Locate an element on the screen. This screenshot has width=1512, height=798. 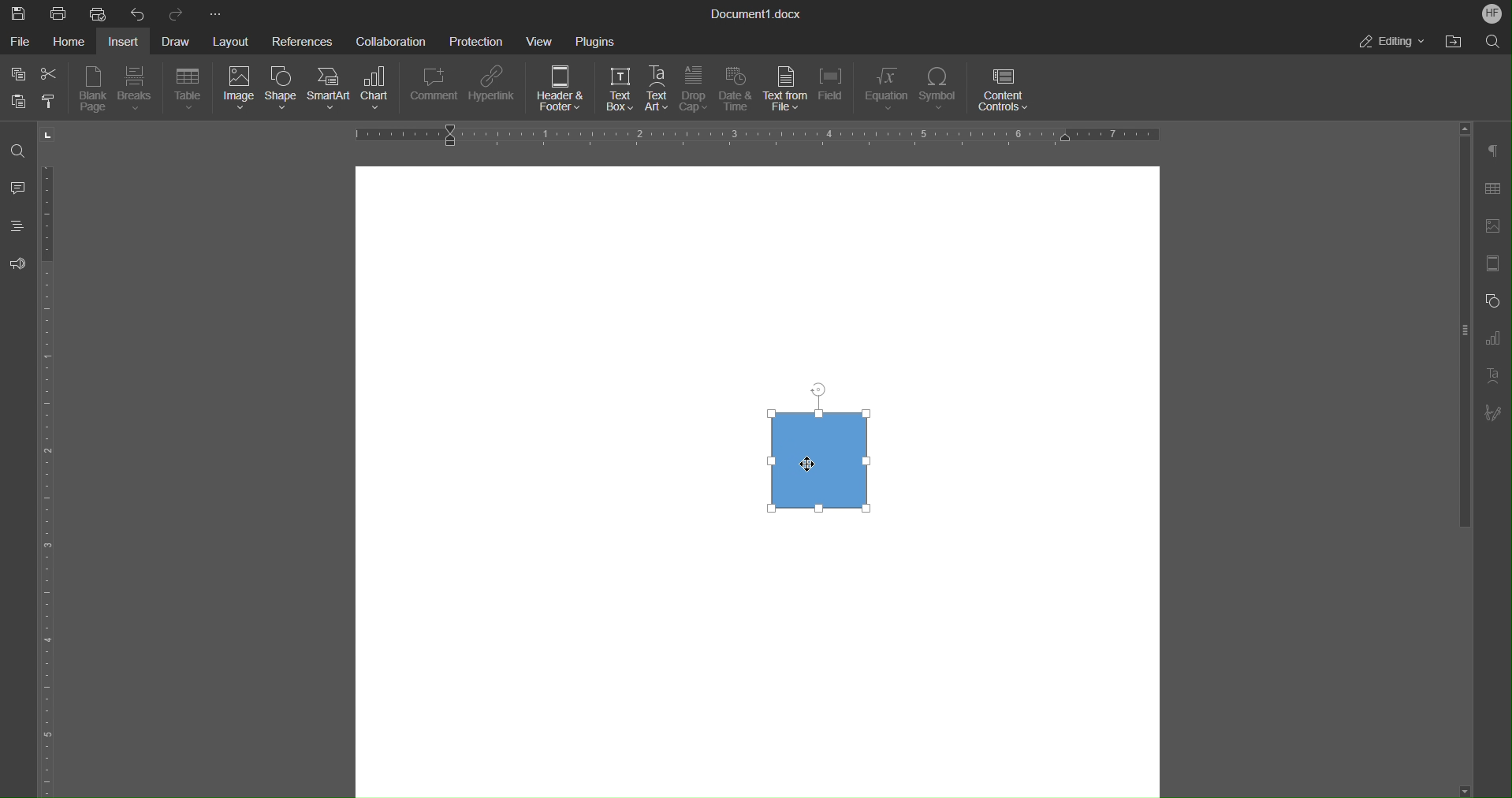
Header & Footer is located at coordinates (562, 91).